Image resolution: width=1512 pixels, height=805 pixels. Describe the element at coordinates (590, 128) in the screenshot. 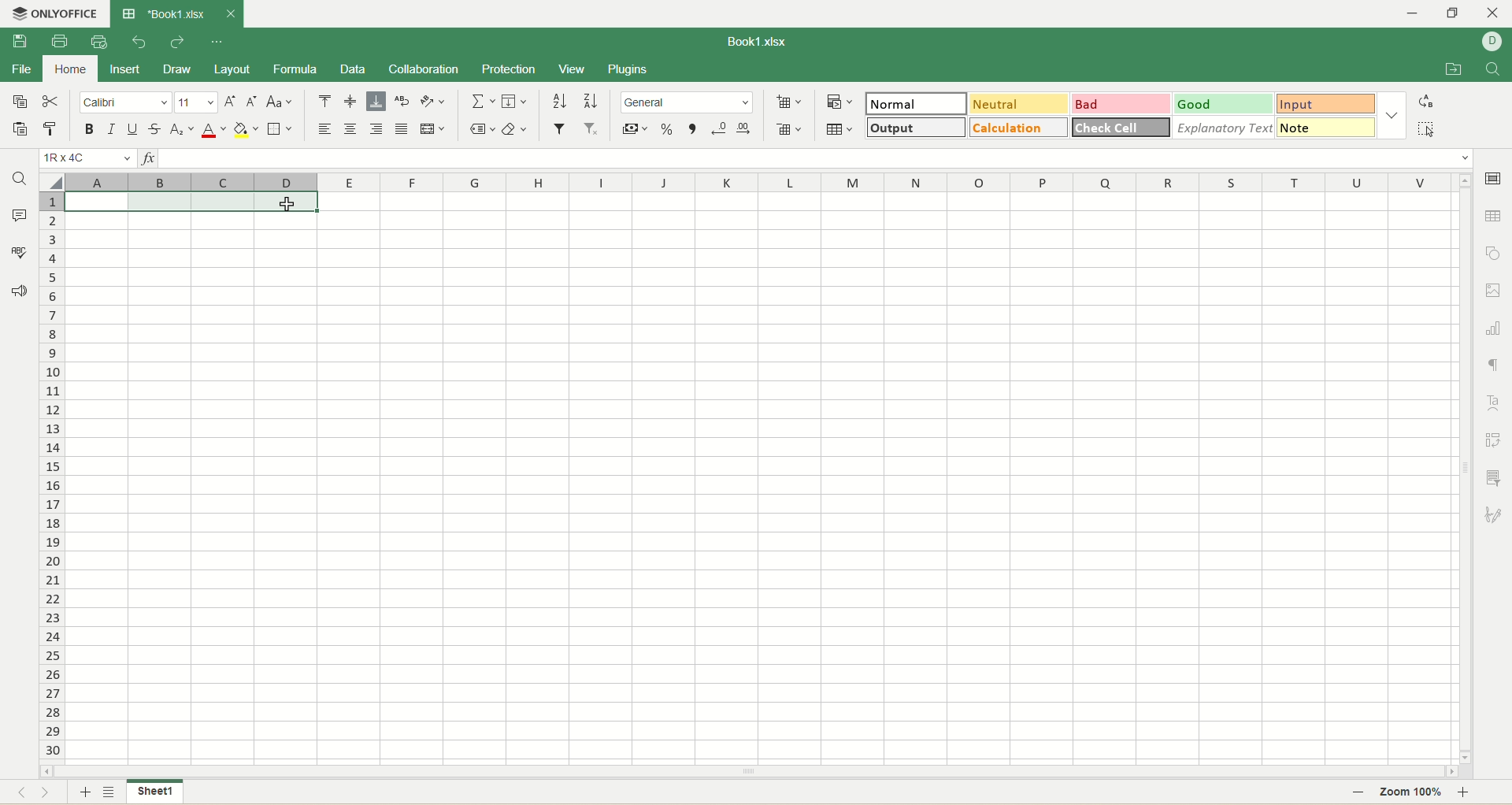

I see `remove filter` at that location.